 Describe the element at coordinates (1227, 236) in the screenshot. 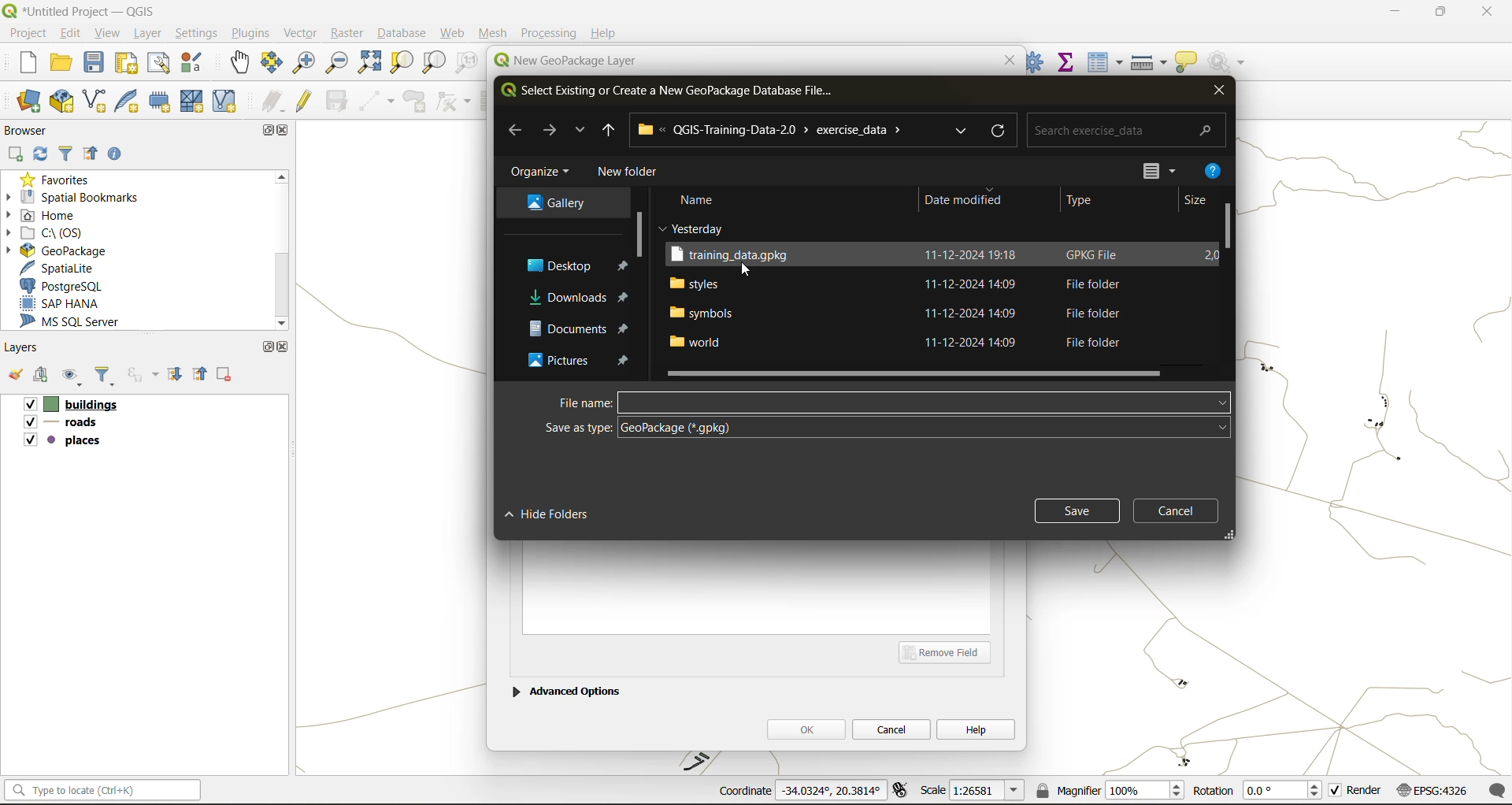

I see `Scroll Bar` at that location.